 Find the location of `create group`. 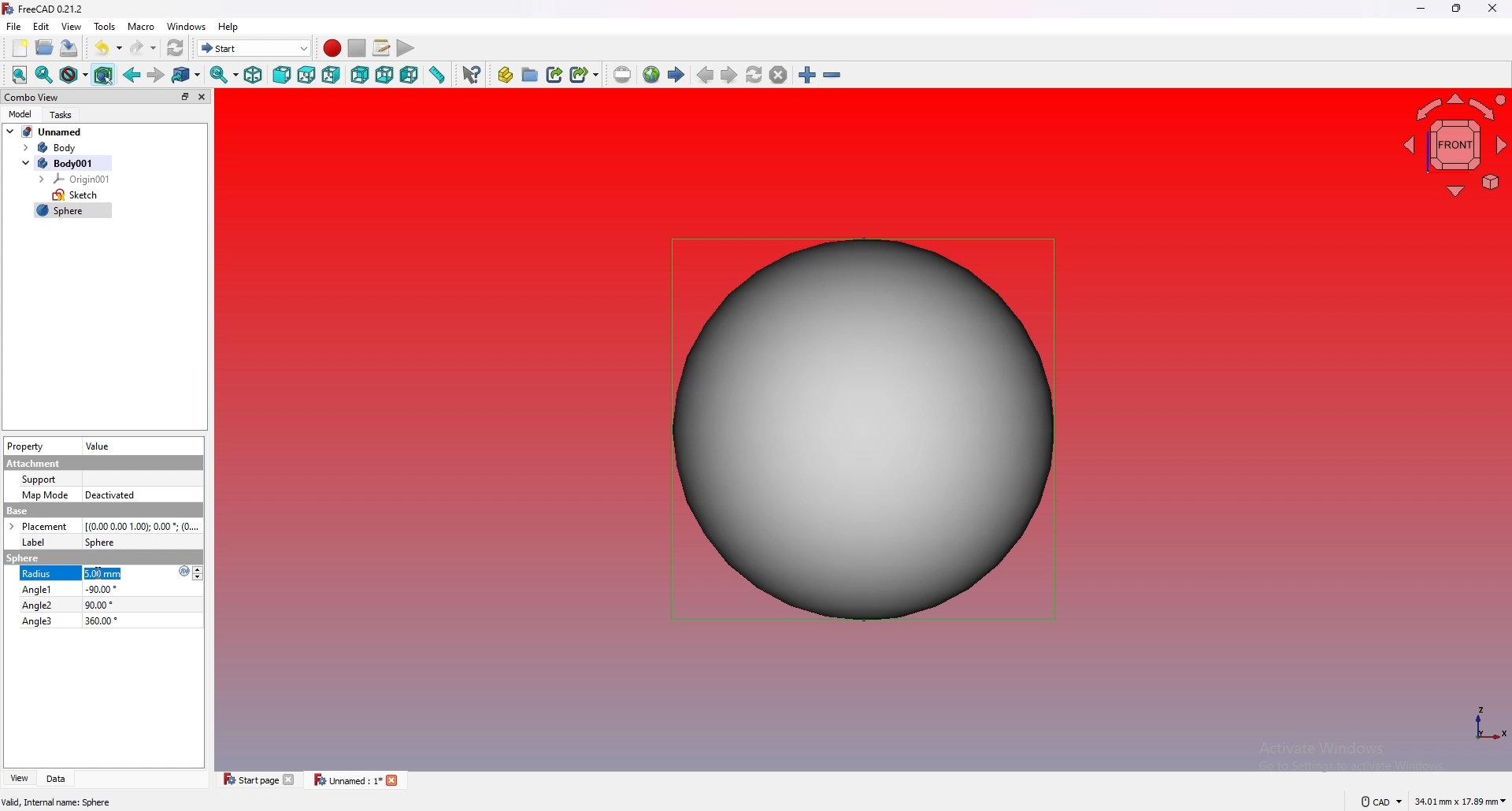

create group is located at coordinates (530, 75).